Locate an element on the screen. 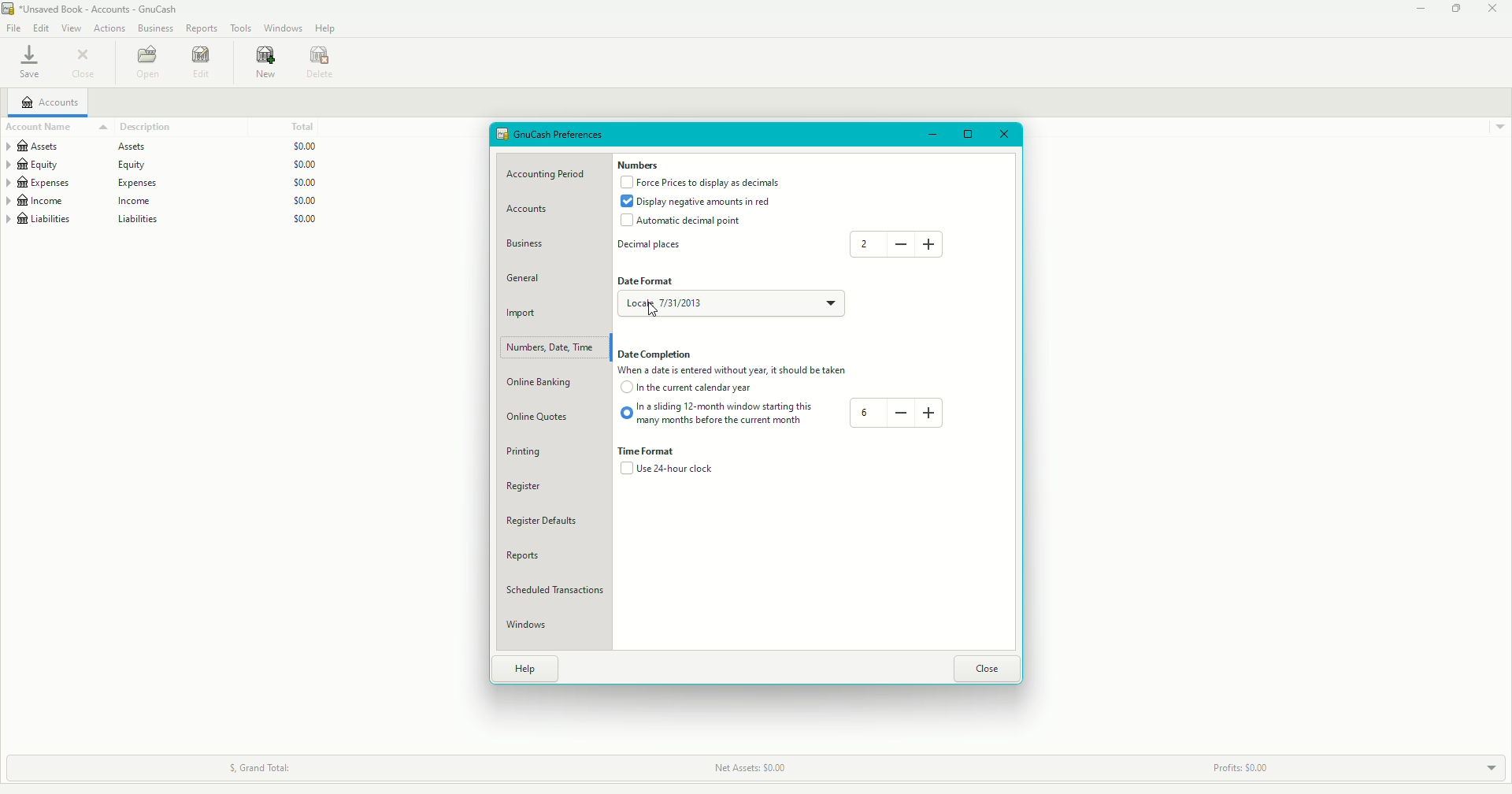 The image size is (1512, 794). Help is located at coordinates (529, 669).